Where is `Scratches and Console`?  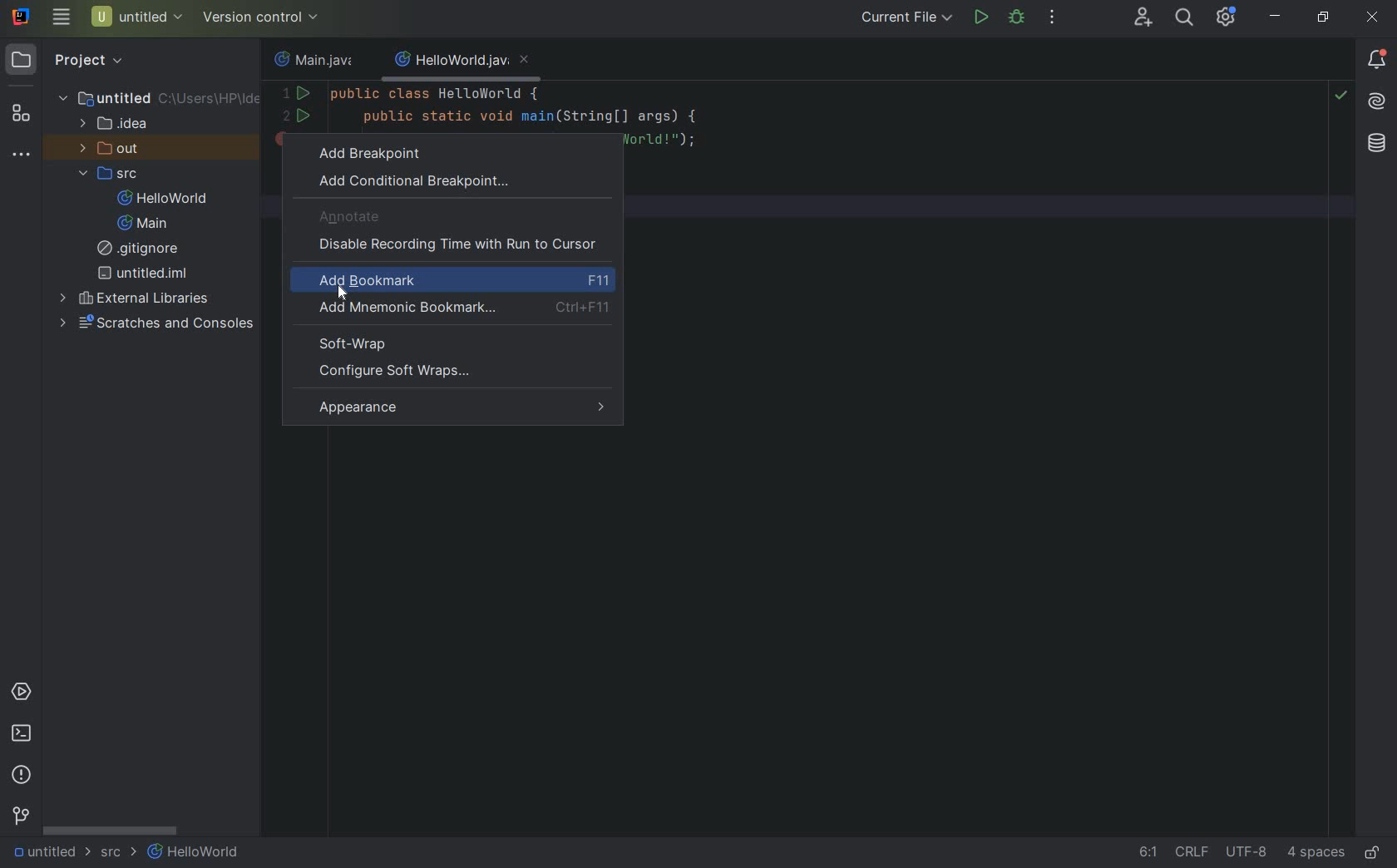
Scratches and Console is located at coordinates (159, 323).